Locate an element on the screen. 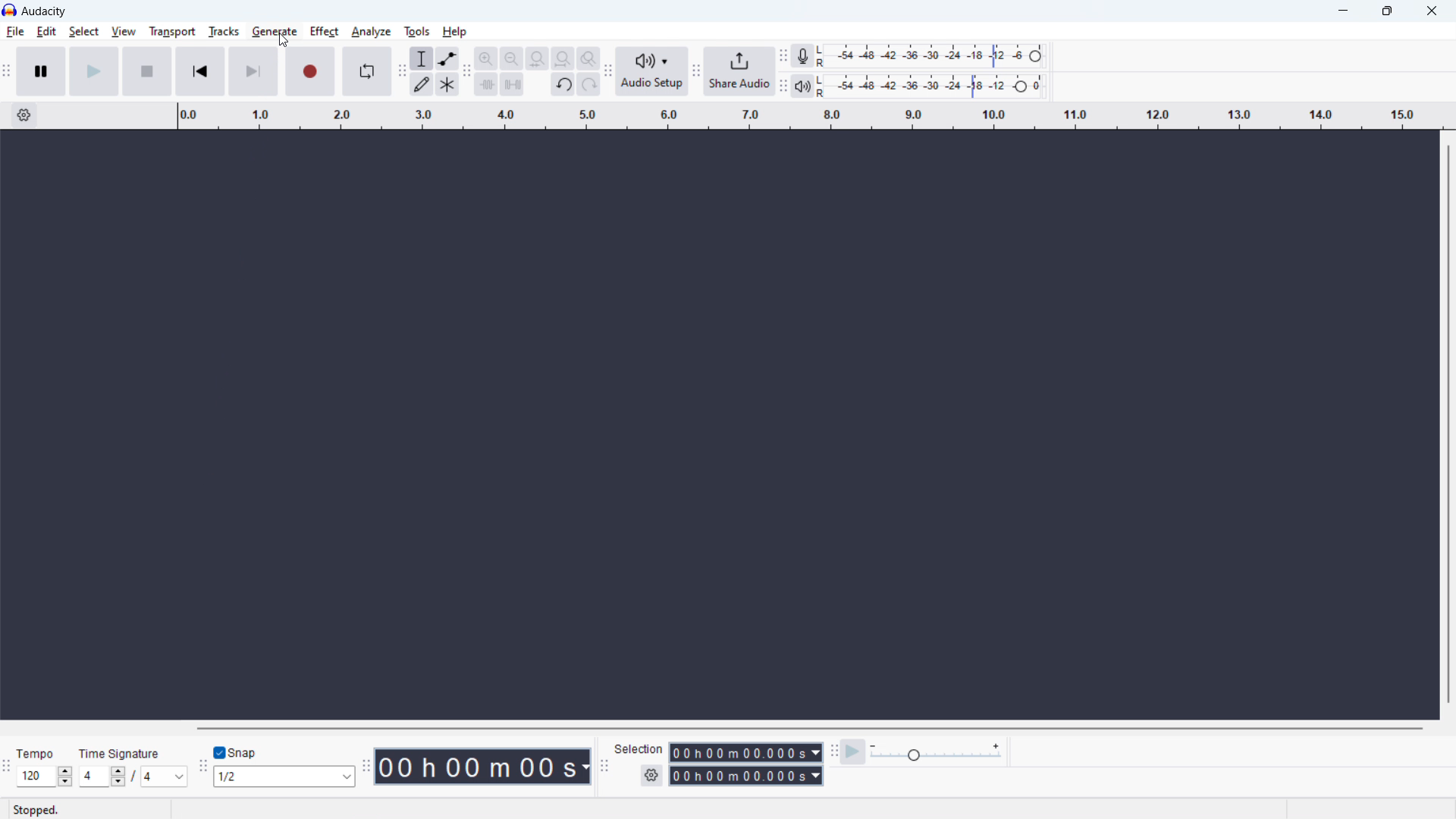 The height and width of the screenshot is (819, 1456). toggle snap is located at coordinates (237, 752).